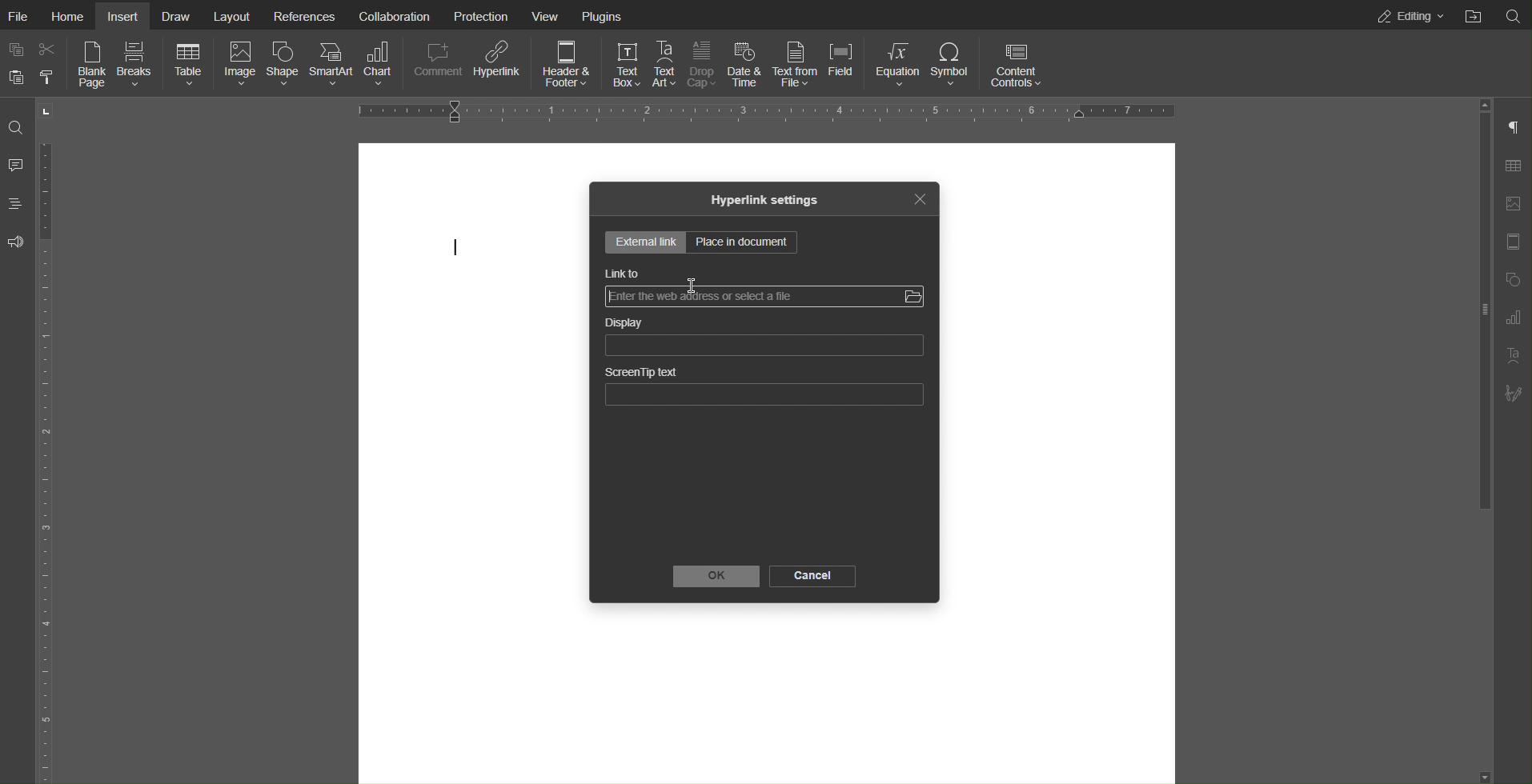 The image size is (1532, 784). Describe the element at coordinates (1512, 164) in the screenshot. I see `Table Settings` at that location.